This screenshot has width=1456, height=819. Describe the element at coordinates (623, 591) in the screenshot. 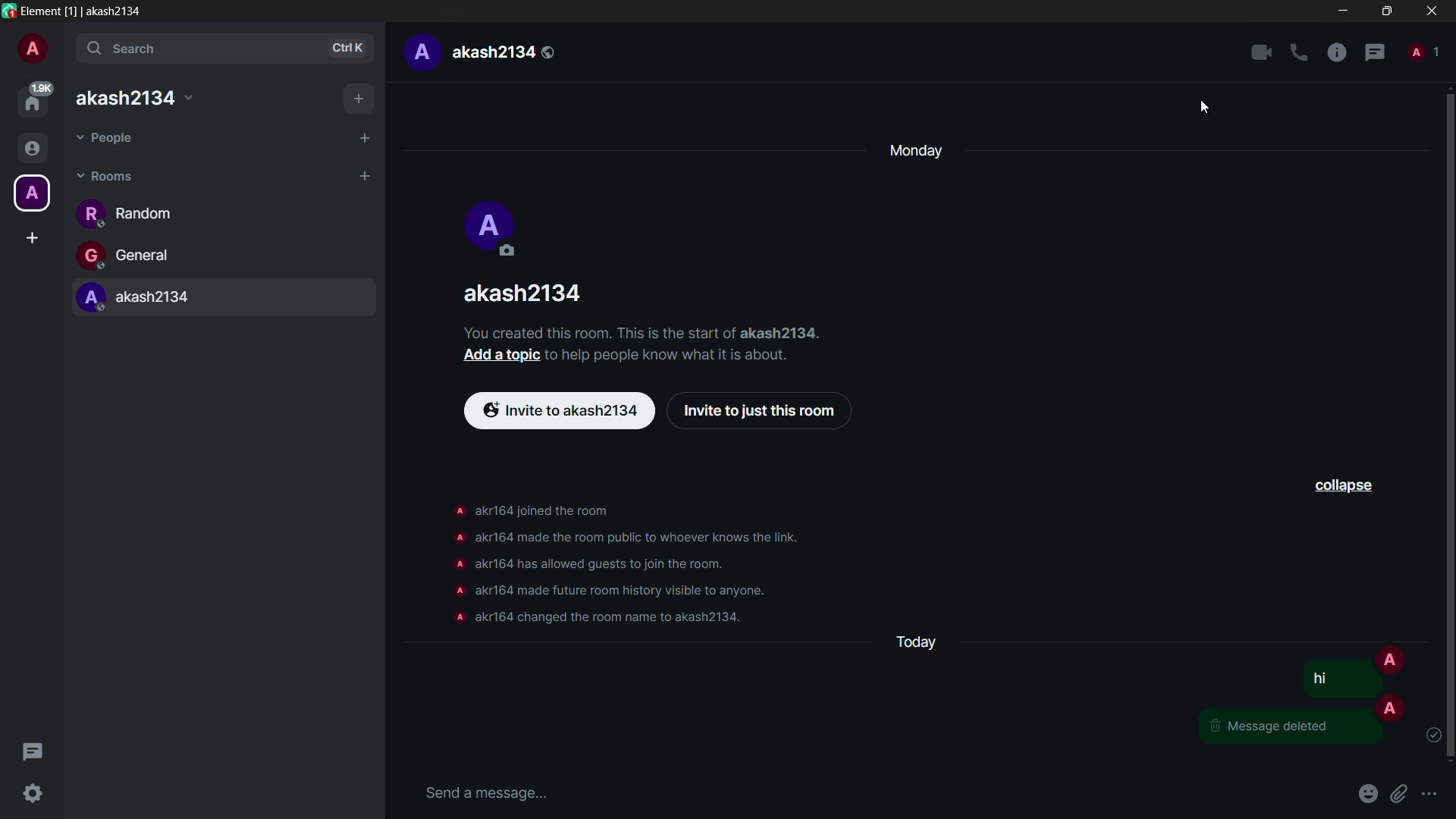

I see `akr164 made future room visible to anyone.` at that location.